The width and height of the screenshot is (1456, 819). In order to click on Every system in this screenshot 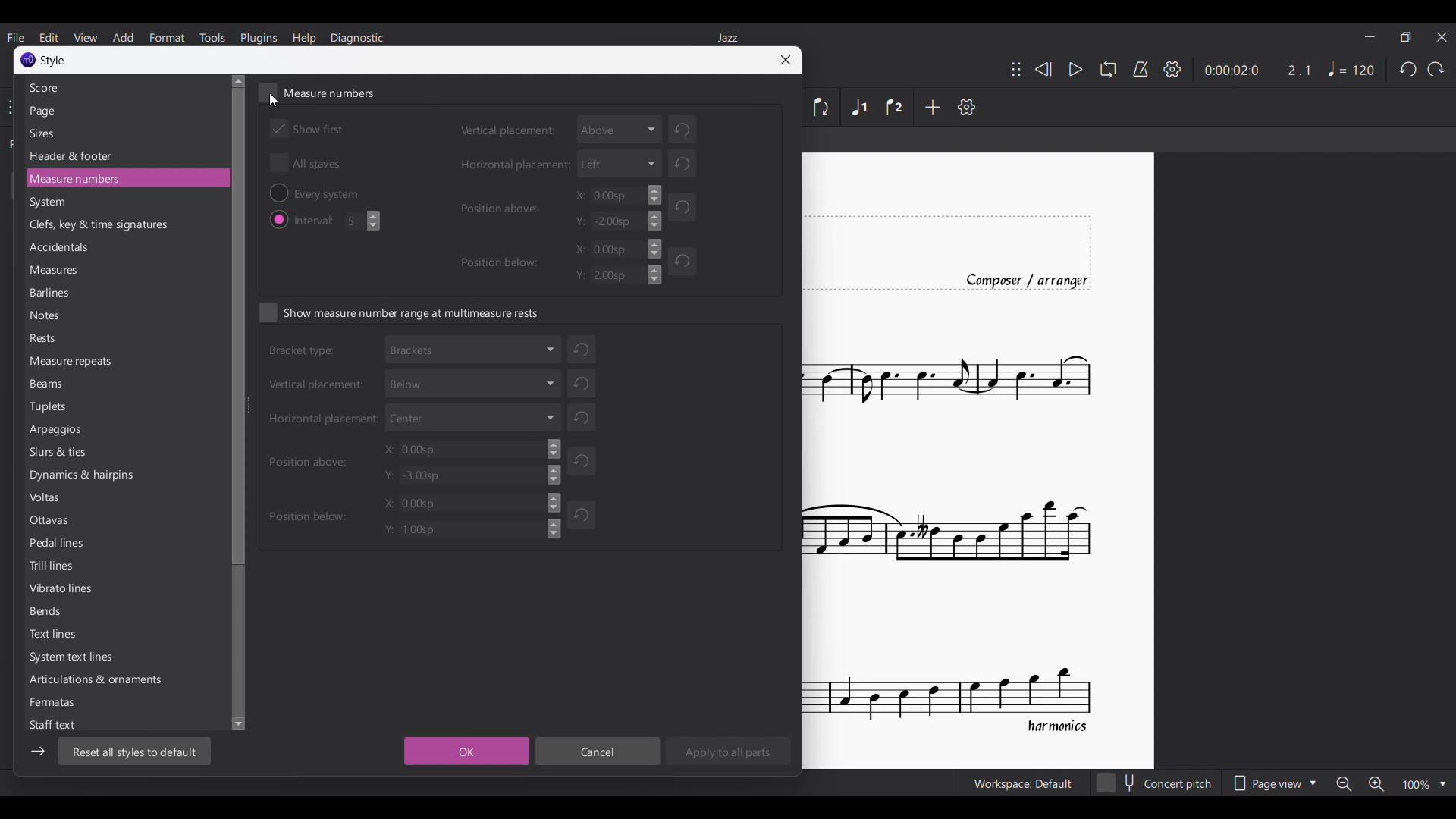, I will do `click(336, 193)`.